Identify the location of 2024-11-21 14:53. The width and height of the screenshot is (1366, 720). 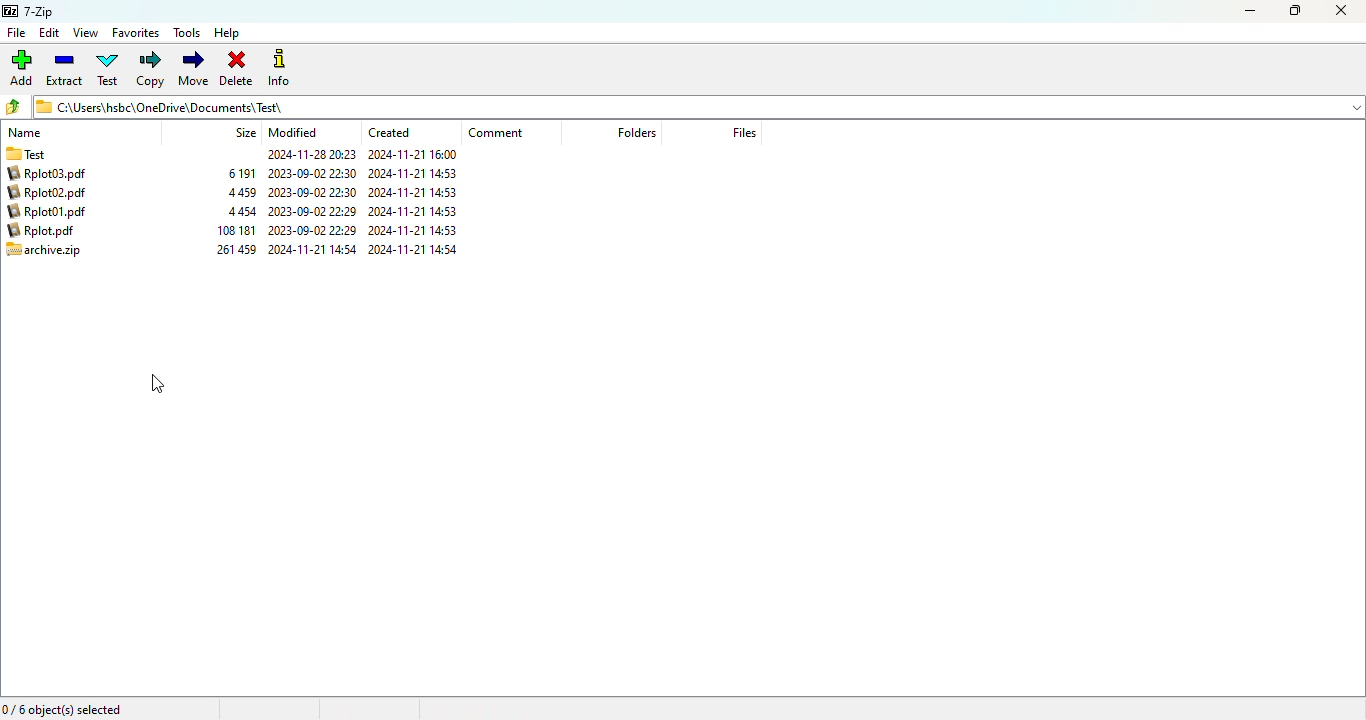
(418, 210).